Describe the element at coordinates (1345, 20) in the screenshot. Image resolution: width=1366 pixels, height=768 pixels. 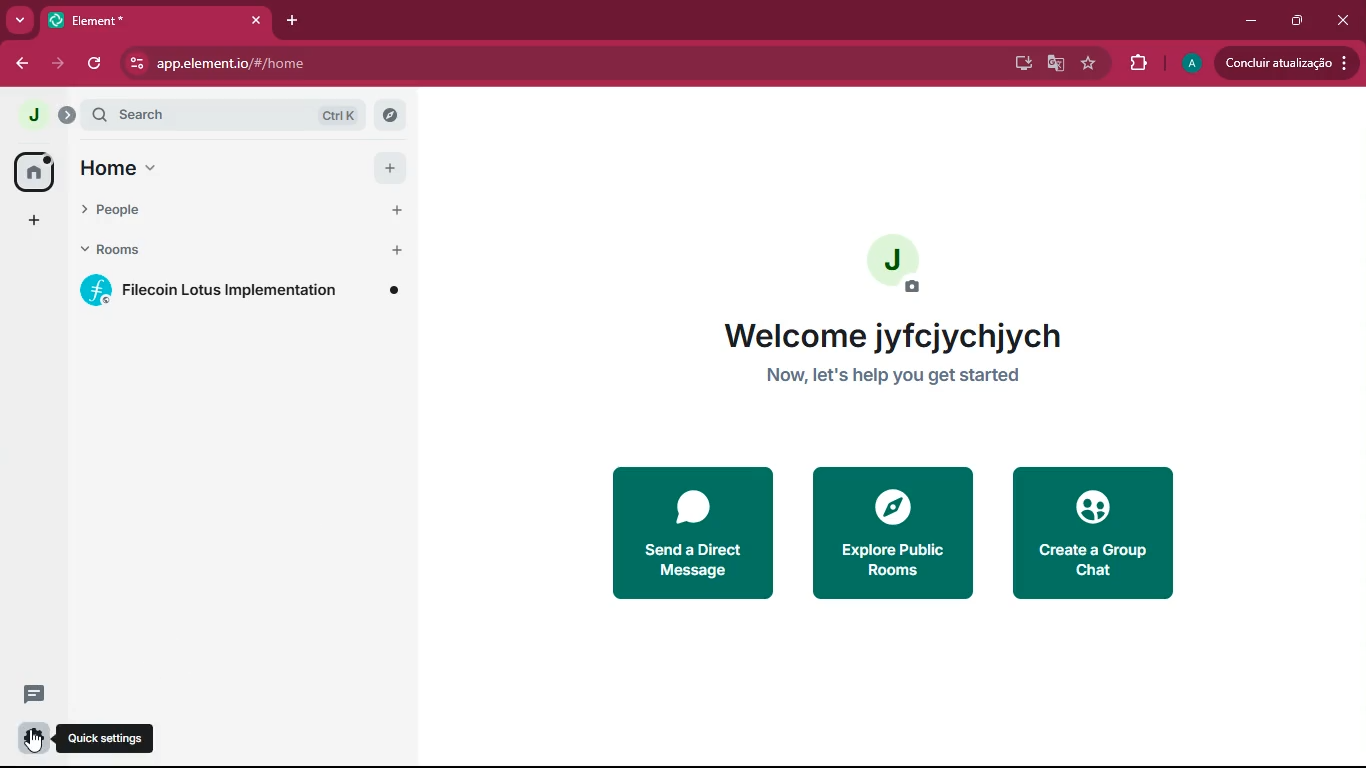
I see `close` at that location.